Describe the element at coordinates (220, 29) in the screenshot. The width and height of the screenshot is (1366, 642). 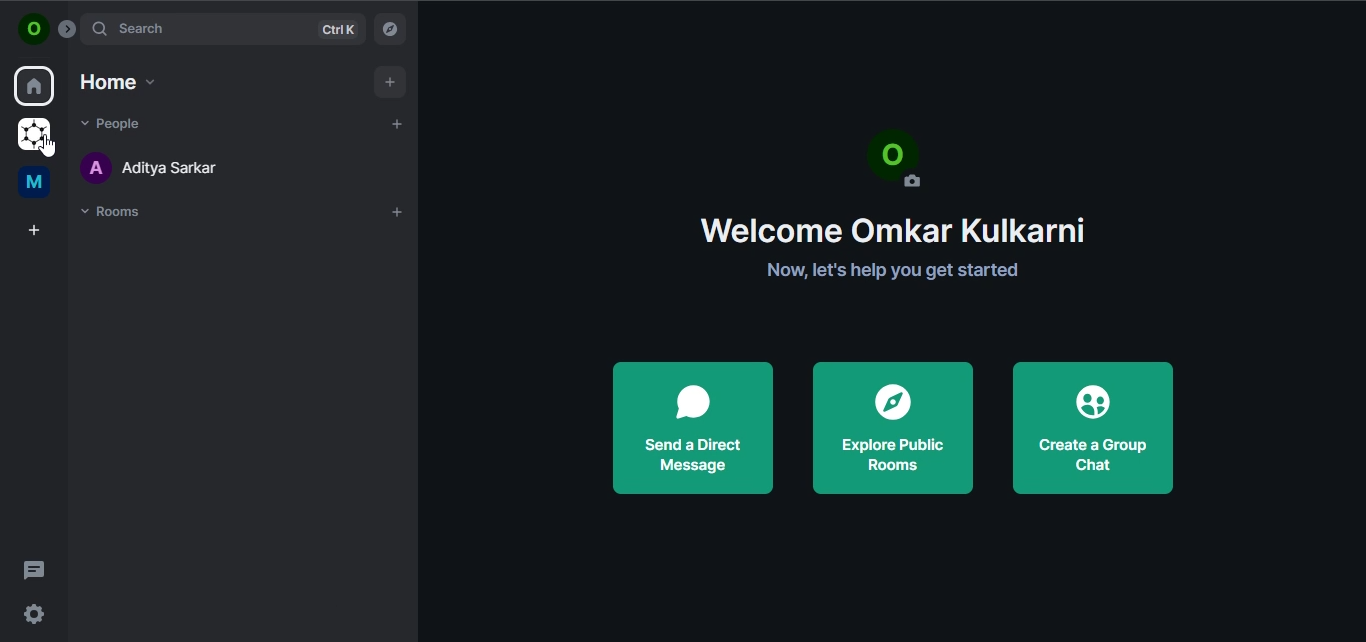
I see `search` at that location.